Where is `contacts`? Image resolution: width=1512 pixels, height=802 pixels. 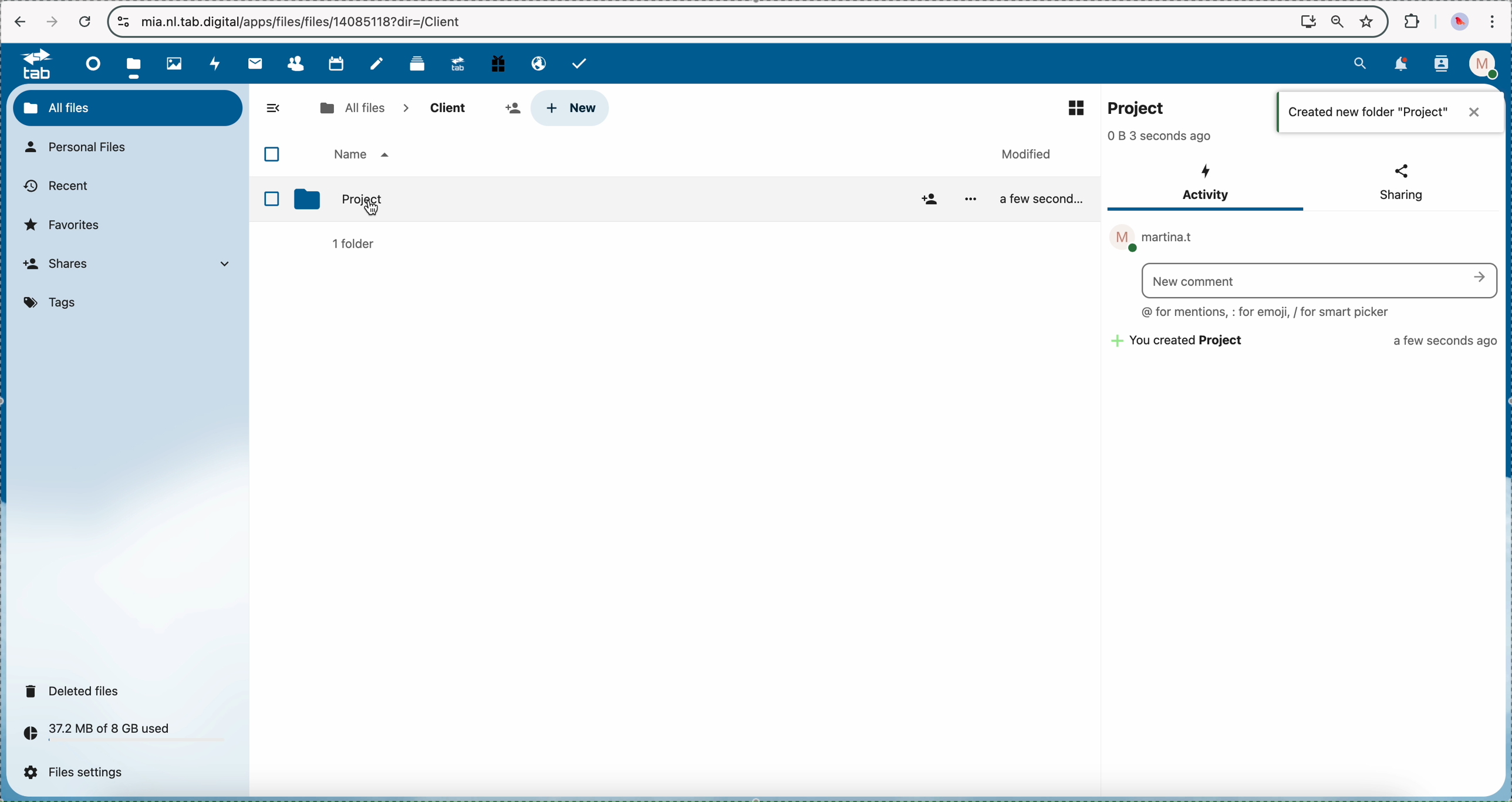
contacts is located at coordinates (1442, 65).